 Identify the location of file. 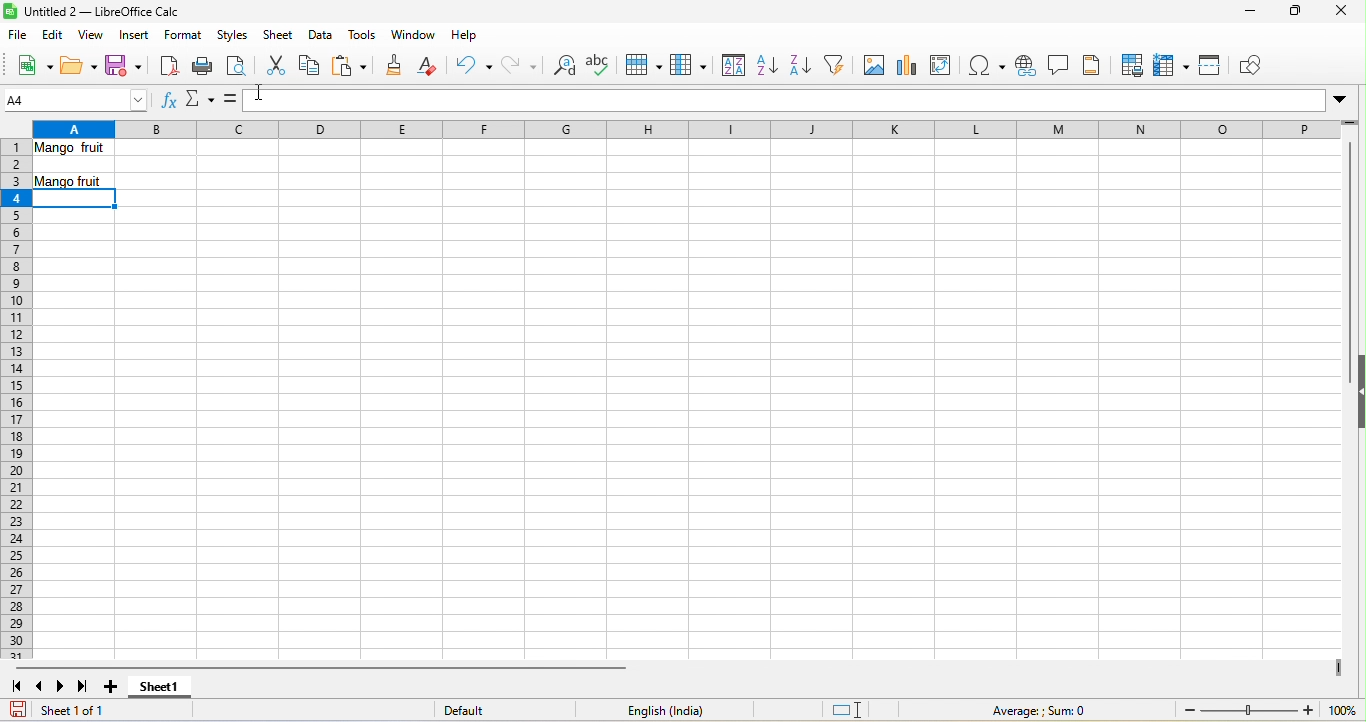
(19, 34).